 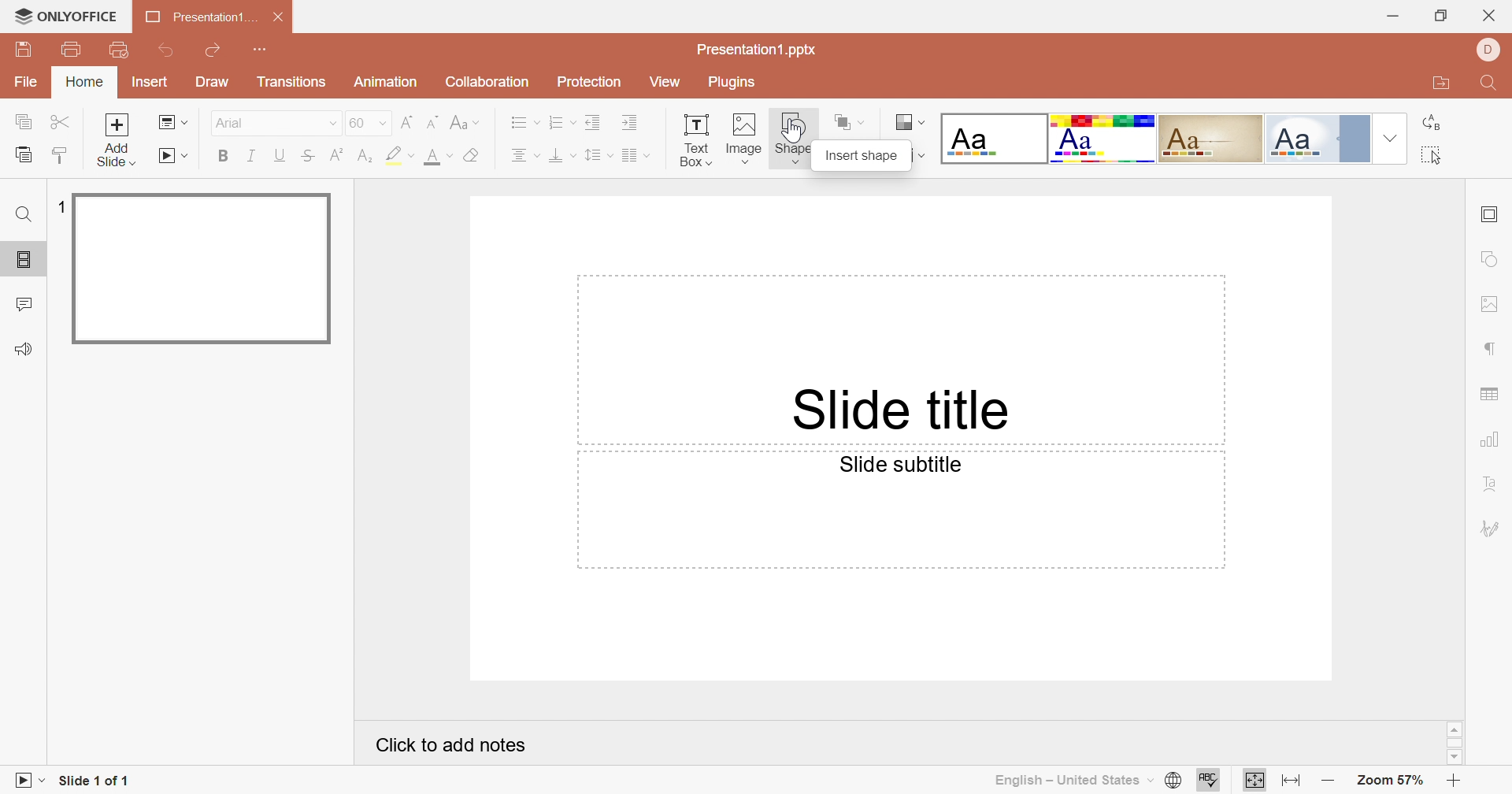 I want to click on Feedback and support, so click(x=23, y=349).